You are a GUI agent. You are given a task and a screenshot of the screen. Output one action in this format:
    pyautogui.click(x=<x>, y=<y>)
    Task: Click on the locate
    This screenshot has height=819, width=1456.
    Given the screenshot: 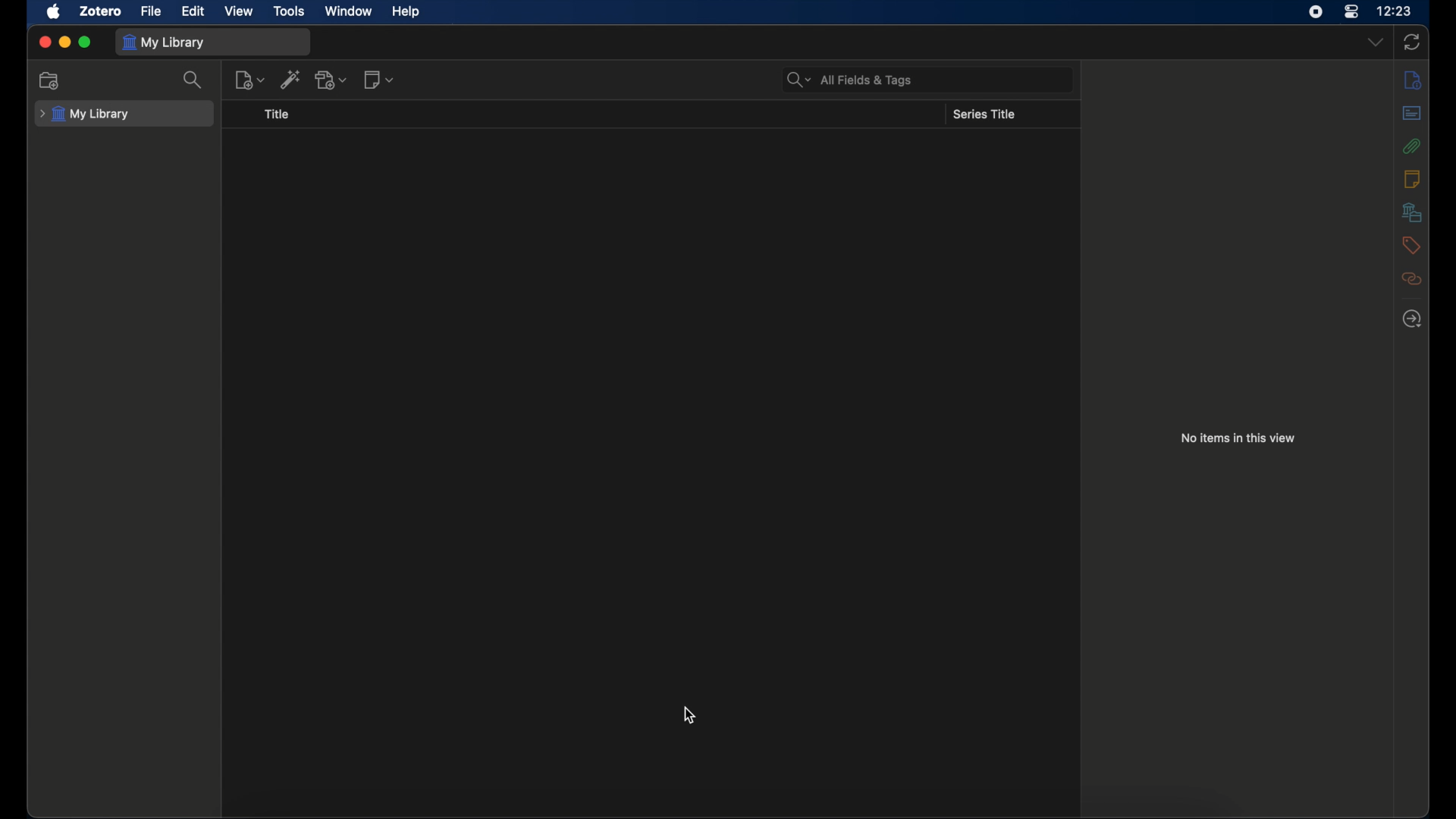 What is the action you would take?
    pyautogui.click(x=1412, y=319)
    